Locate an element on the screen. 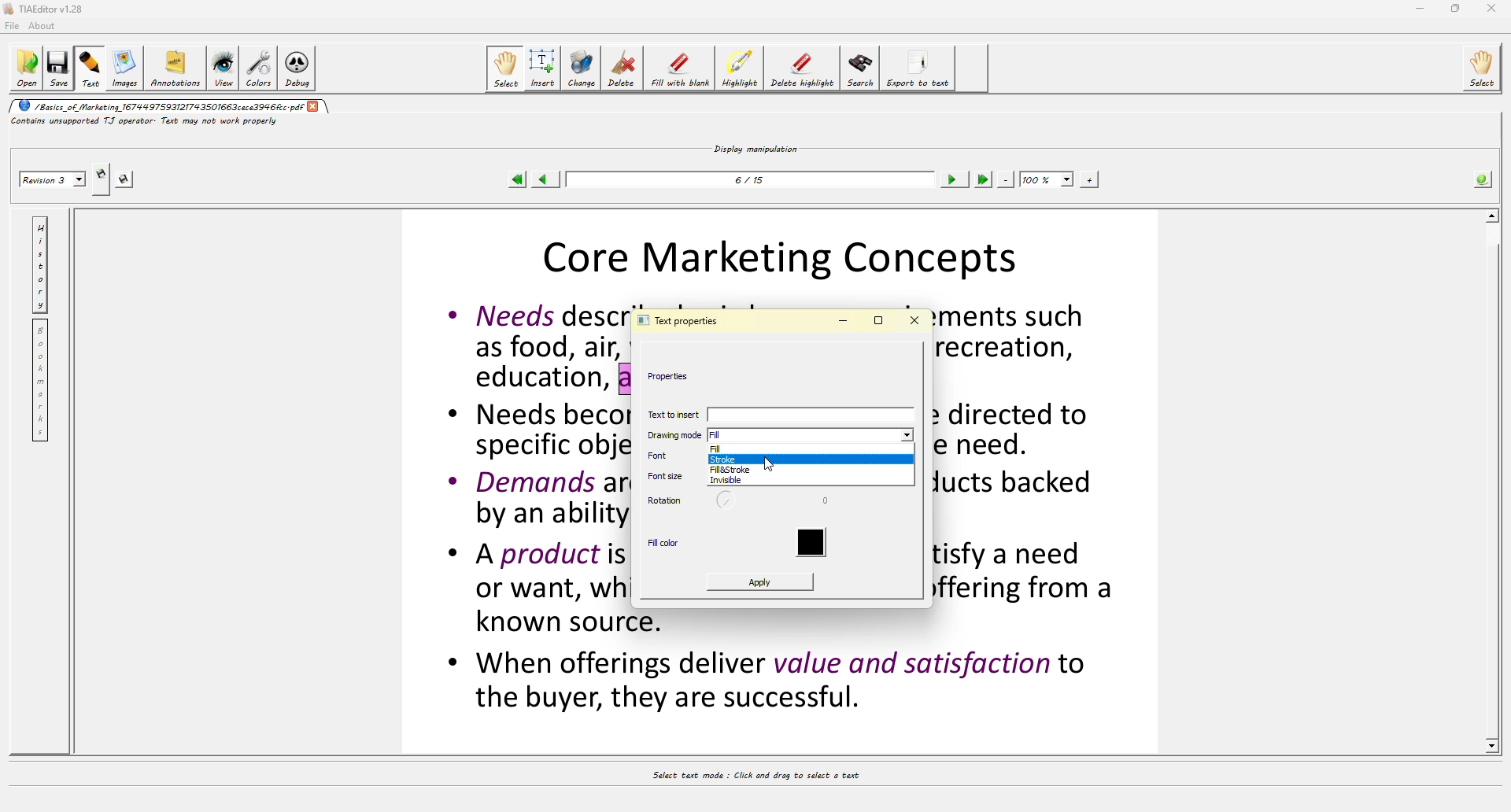  maximize is located at coordinates (1456, 8).